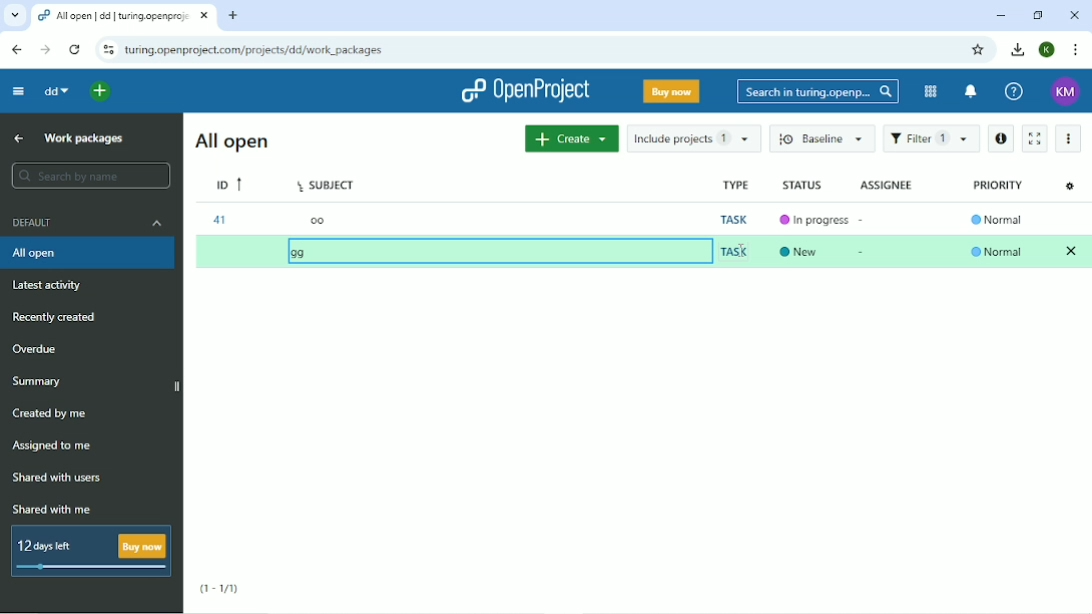 This screenshot has width=1092, height=614. I want to click on Up, so click(16, 138).